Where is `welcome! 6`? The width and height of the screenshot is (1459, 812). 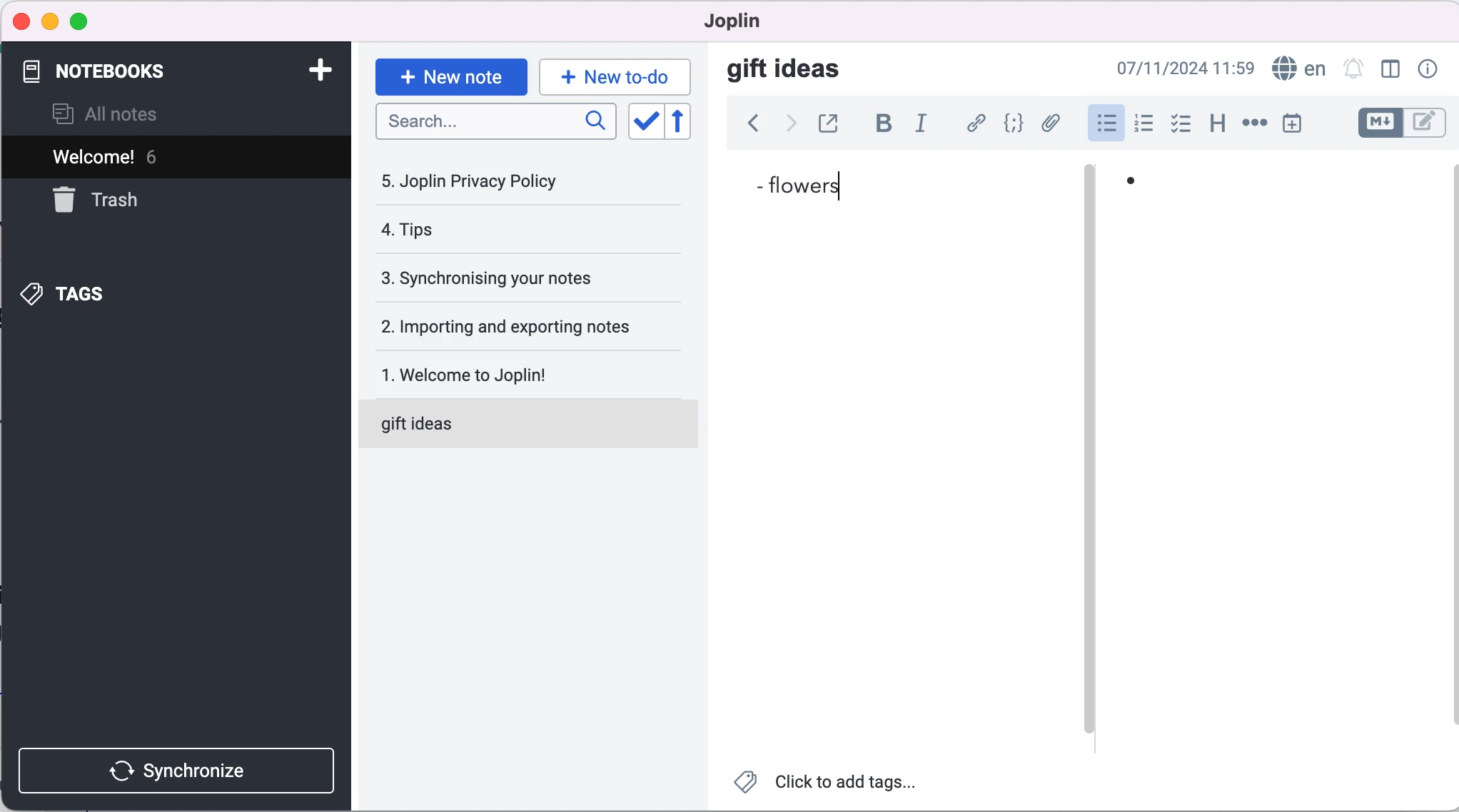 welcome! 6 is located at coordinates (171, 158).